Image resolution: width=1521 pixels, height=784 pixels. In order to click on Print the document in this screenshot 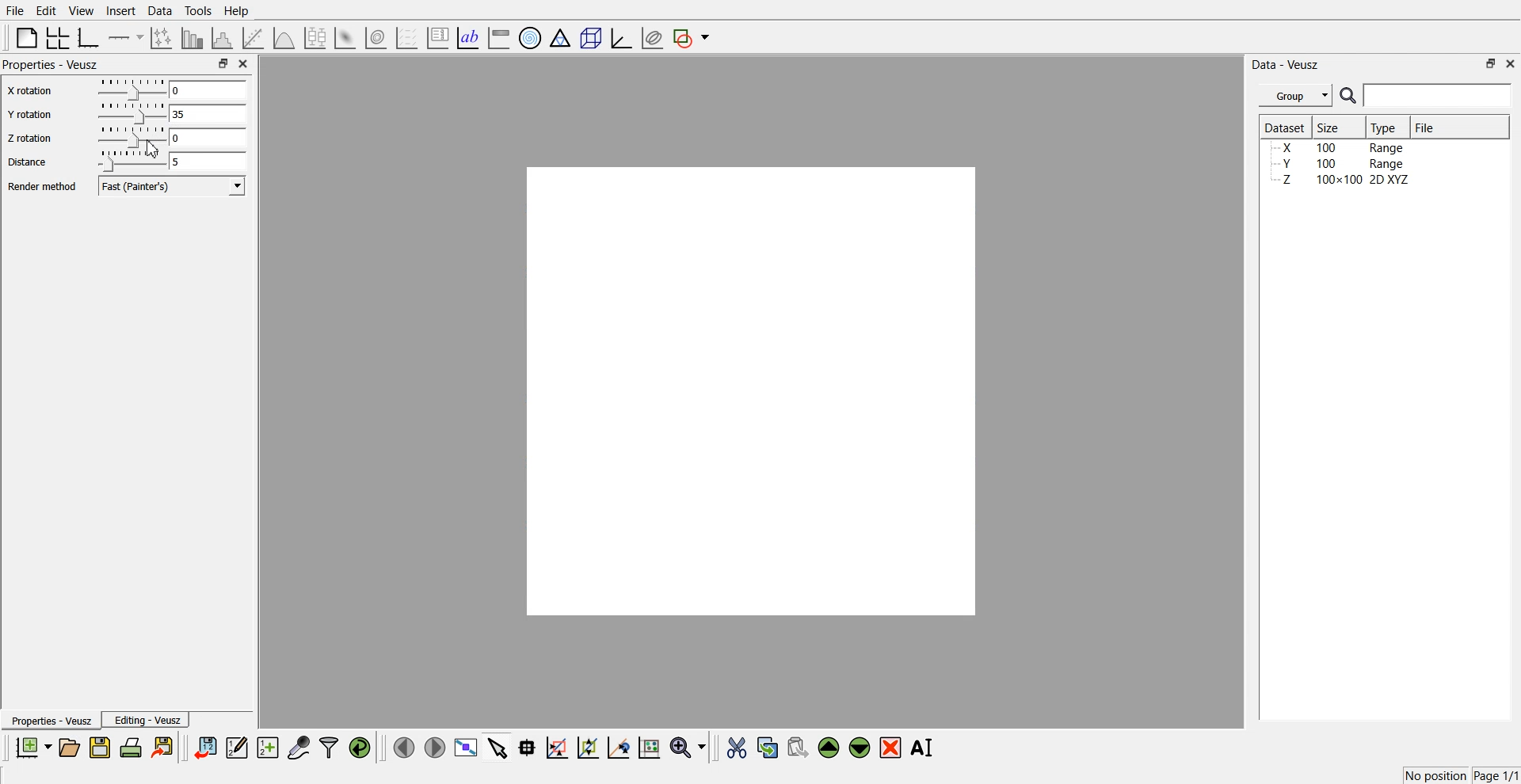, I will do `click(130, 747)`.